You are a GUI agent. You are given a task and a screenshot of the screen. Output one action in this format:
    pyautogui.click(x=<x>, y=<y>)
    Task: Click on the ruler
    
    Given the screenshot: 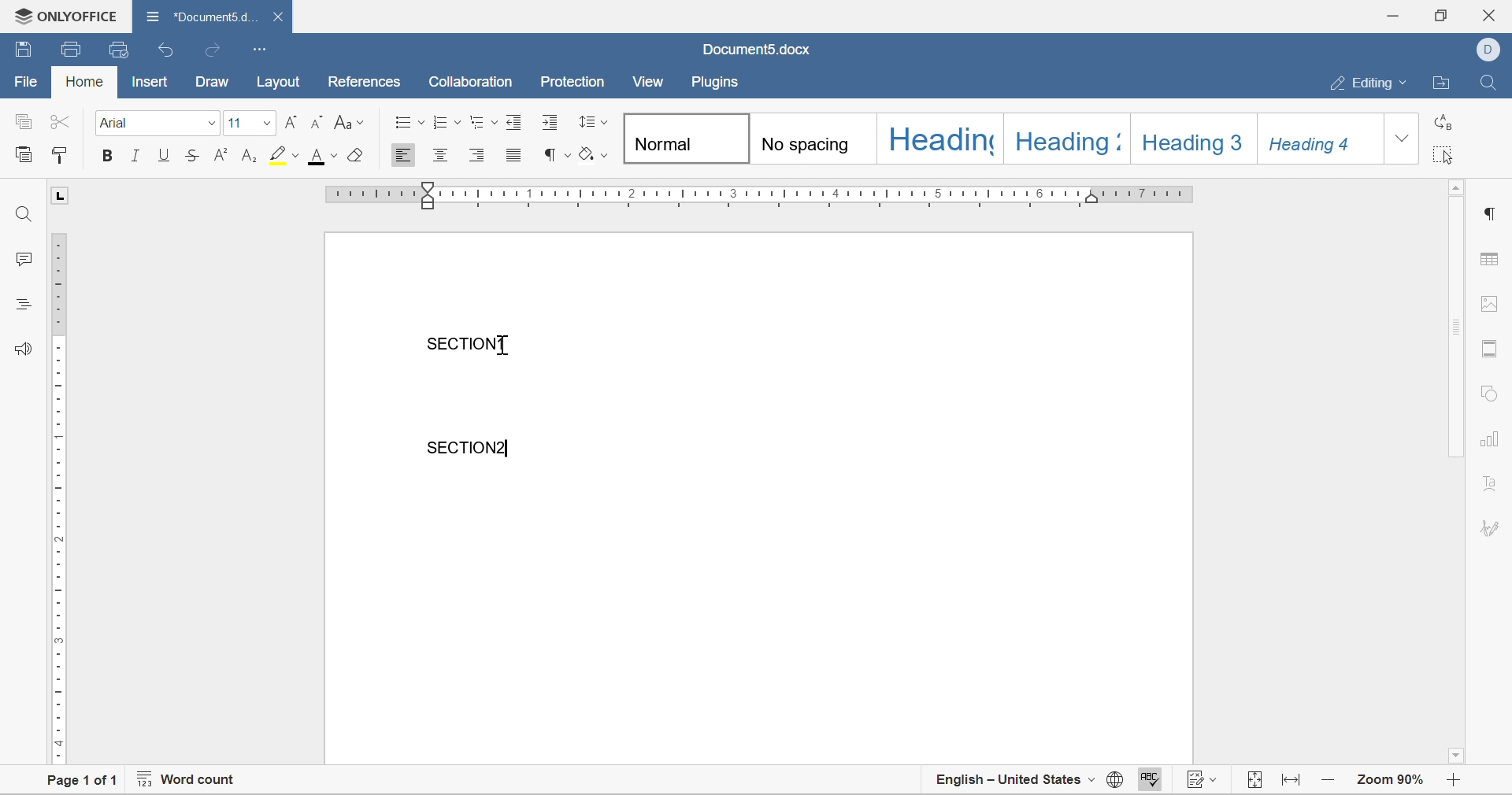 What is the action you would take?
    pyautogui.click(x=761, y=194)
    